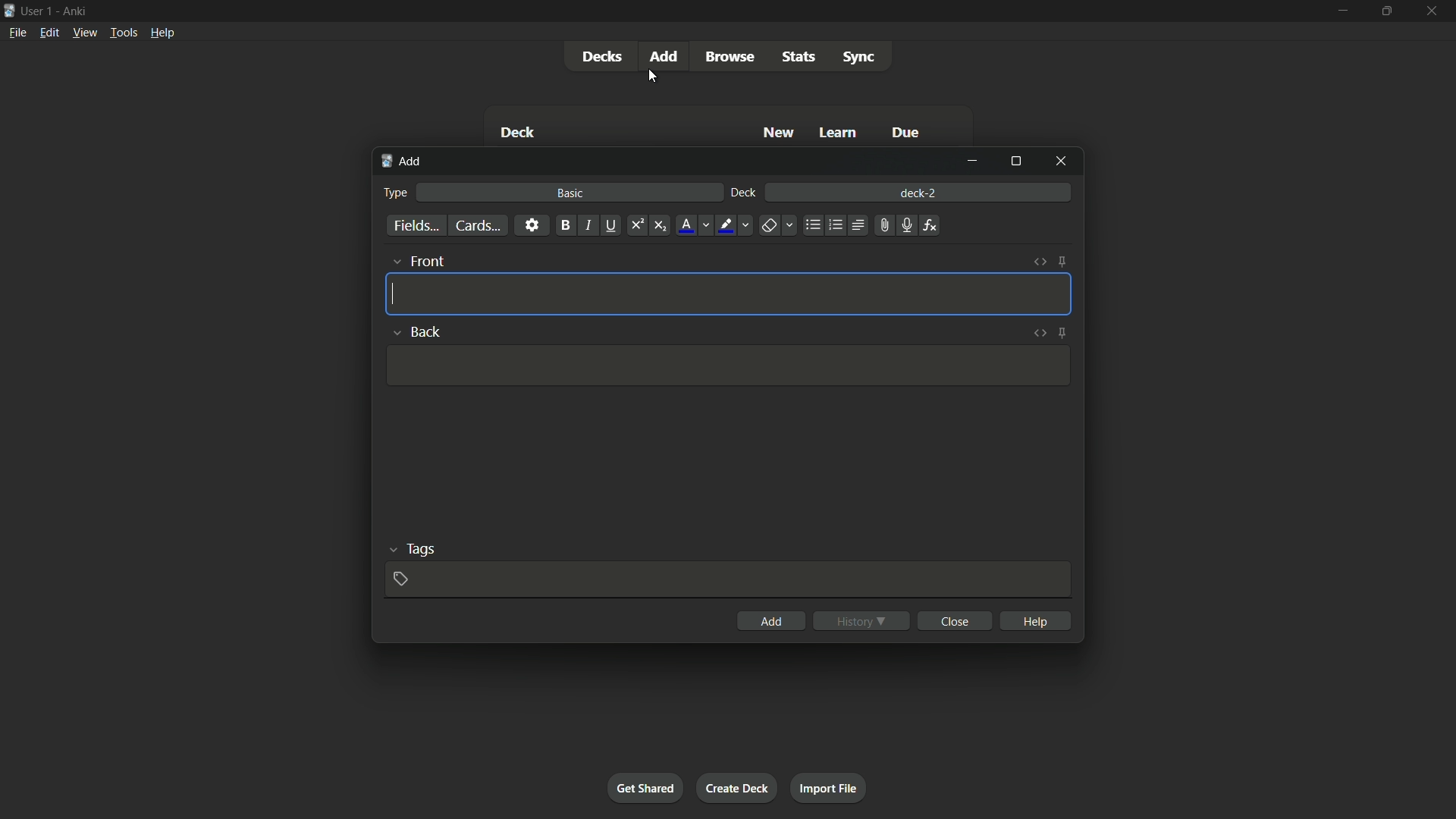 The image size is (1456, 819). I want to click on close app, so click(1432, 11).